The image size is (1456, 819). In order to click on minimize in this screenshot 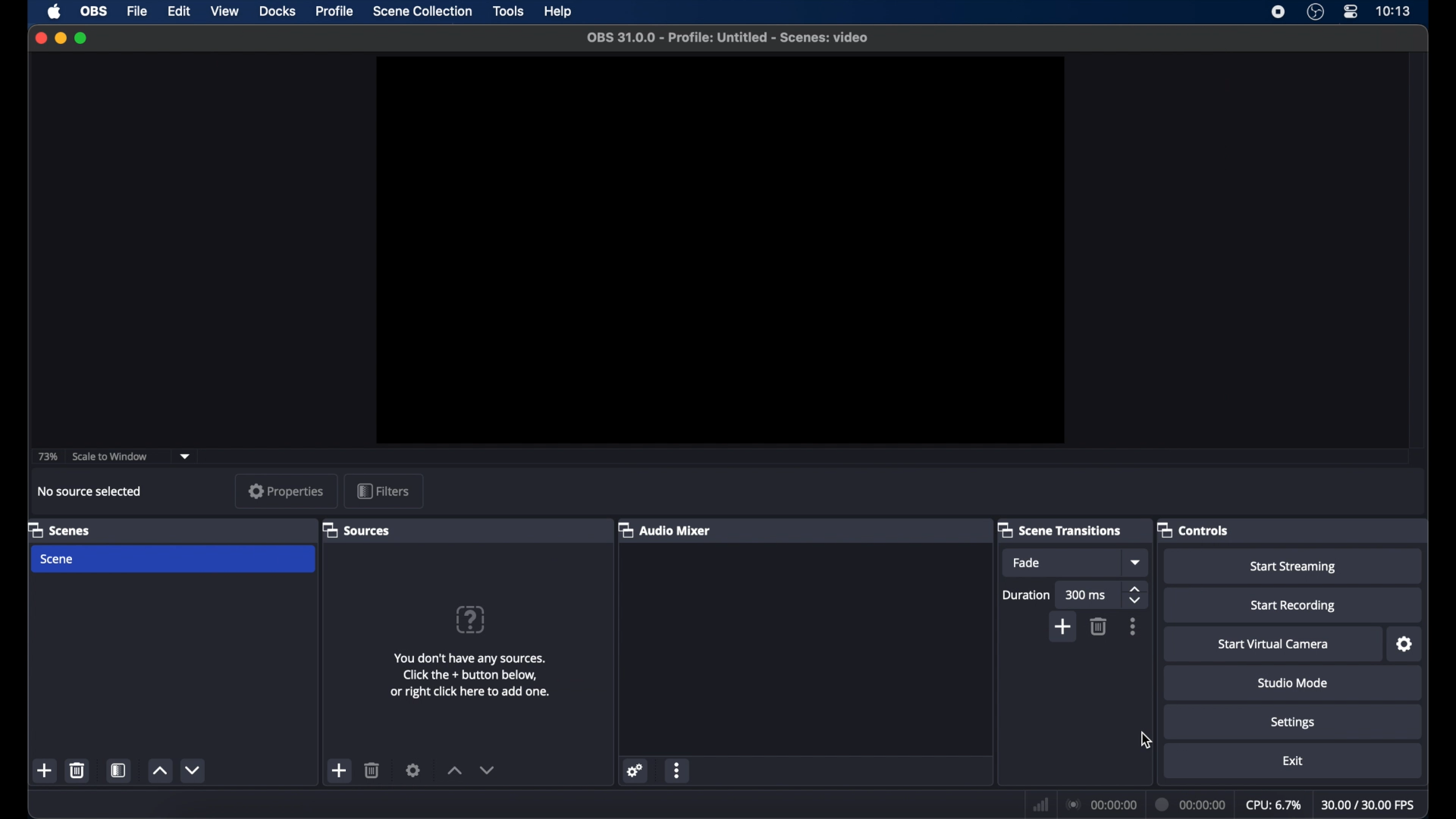, I will do `click(60, 38)`.